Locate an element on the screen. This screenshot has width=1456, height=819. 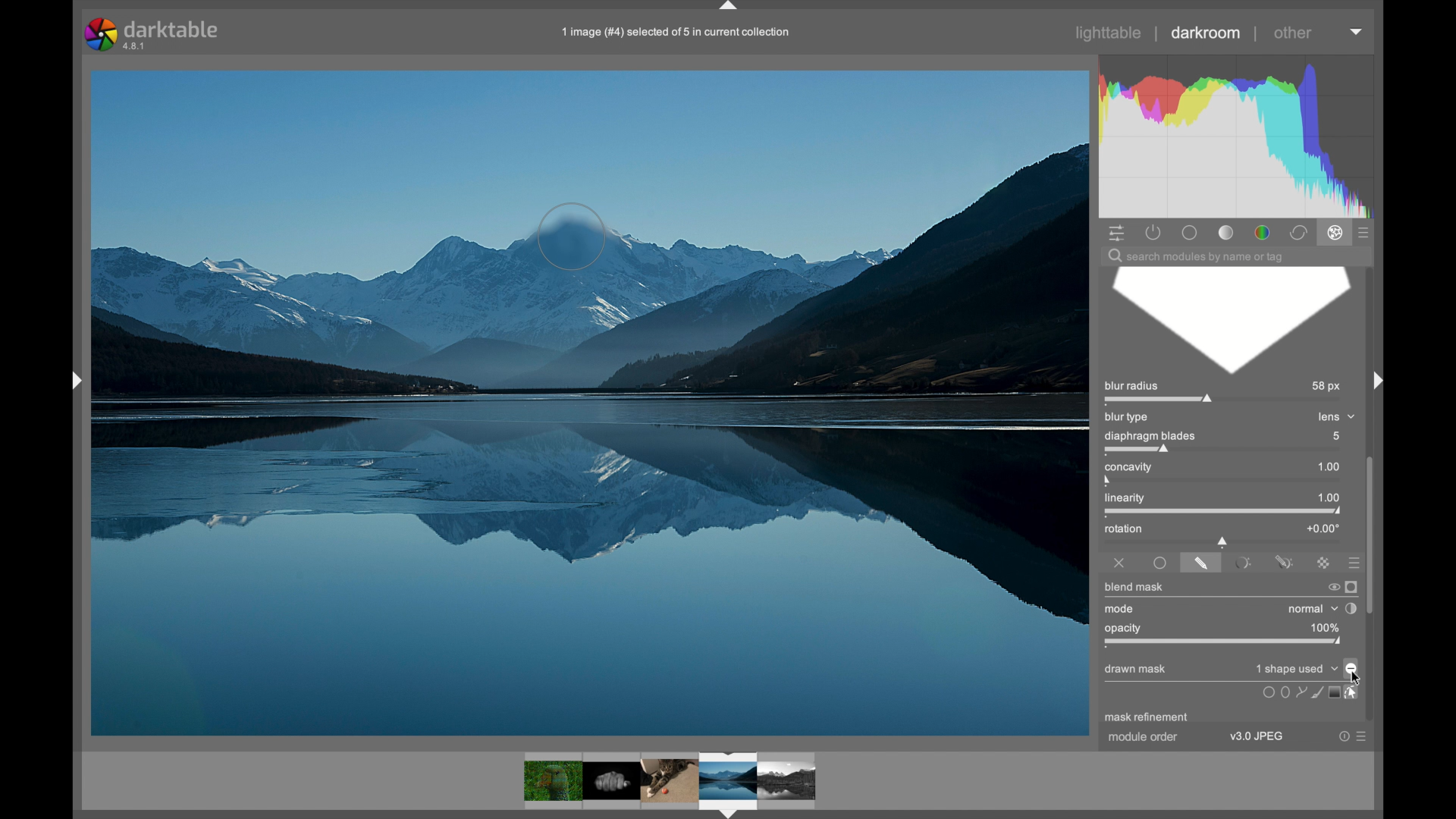
show quick access  panel is located at coordinates (1116, 232).